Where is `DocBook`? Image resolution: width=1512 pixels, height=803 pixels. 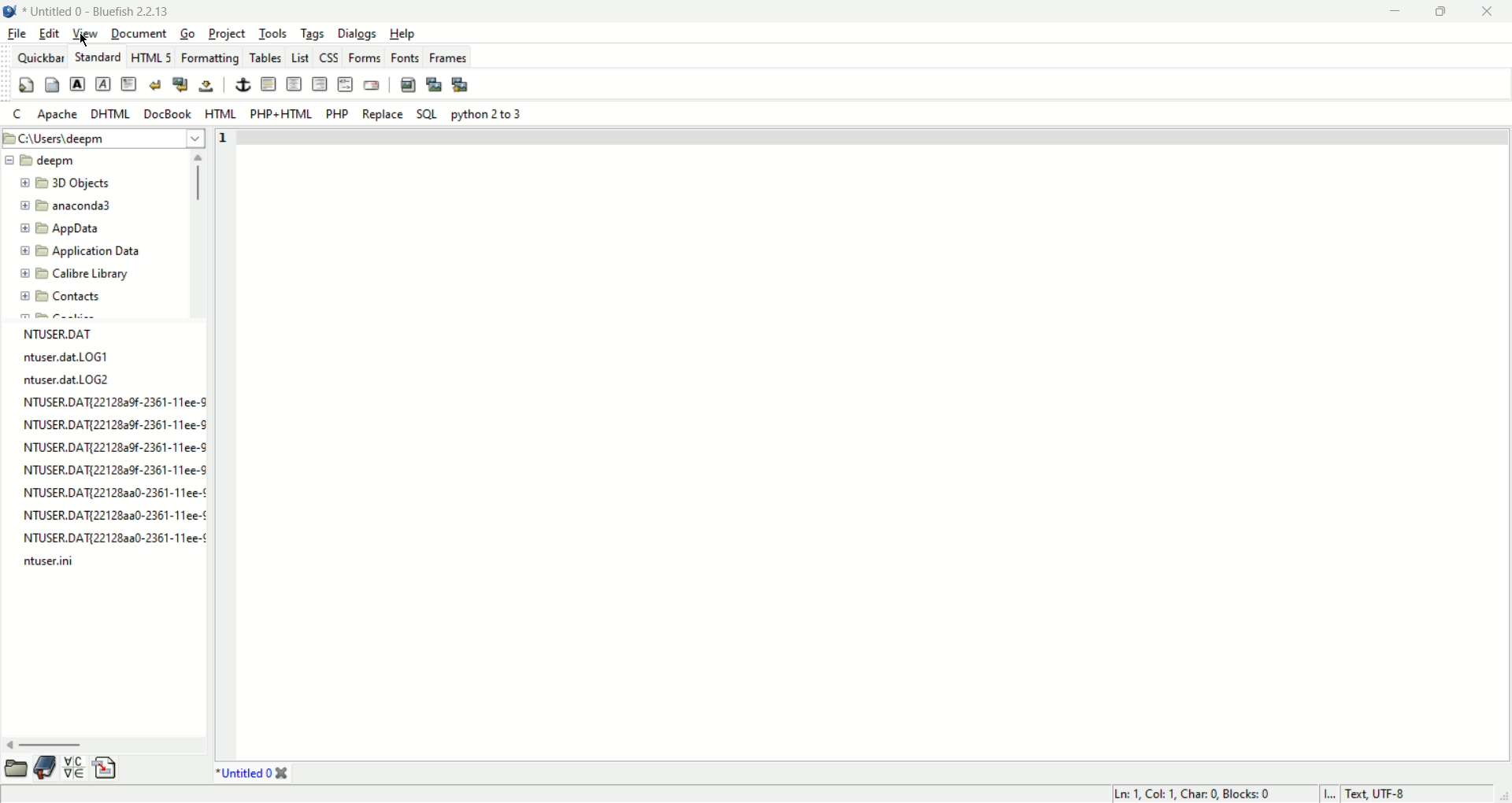
DocBook is located at coordinates (168, 113).